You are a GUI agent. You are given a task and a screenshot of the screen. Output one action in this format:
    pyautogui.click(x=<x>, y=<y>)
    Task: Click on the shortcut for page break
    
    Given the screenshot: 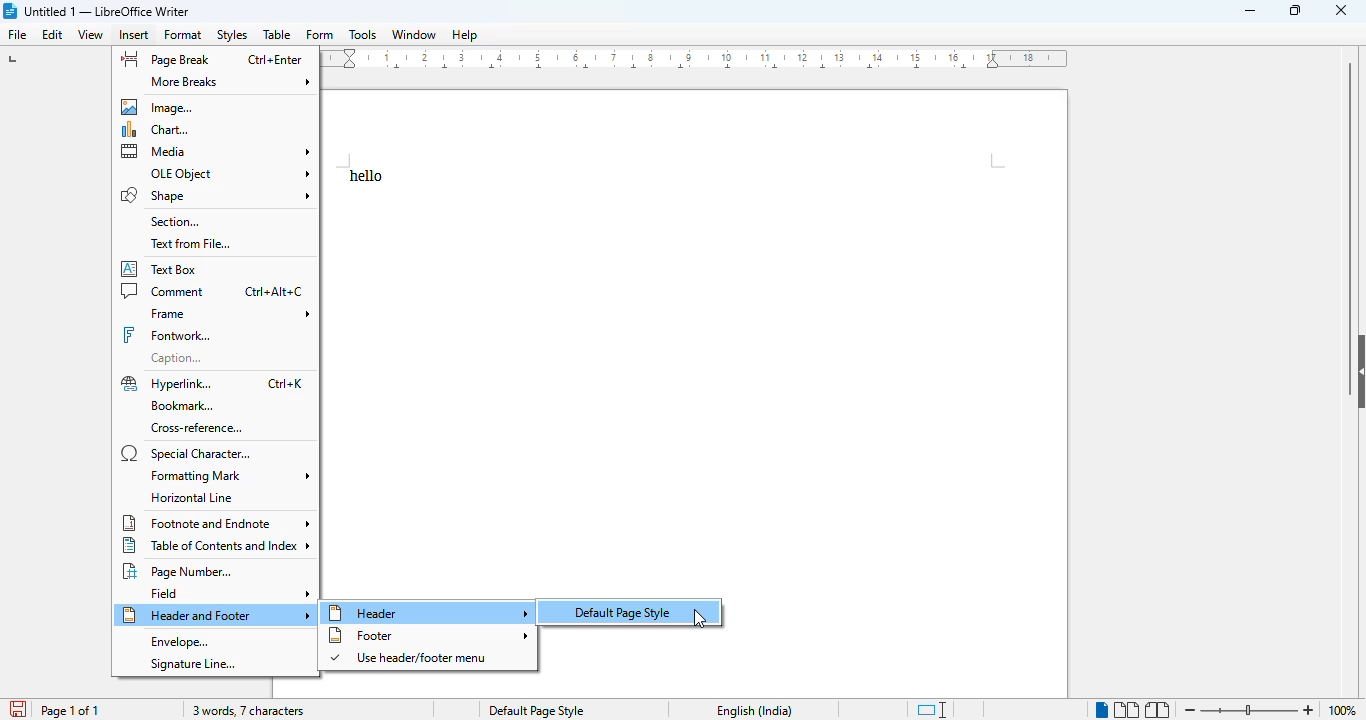 What is the action you would take?
    pyautogui.click(x=277, y=60)
    